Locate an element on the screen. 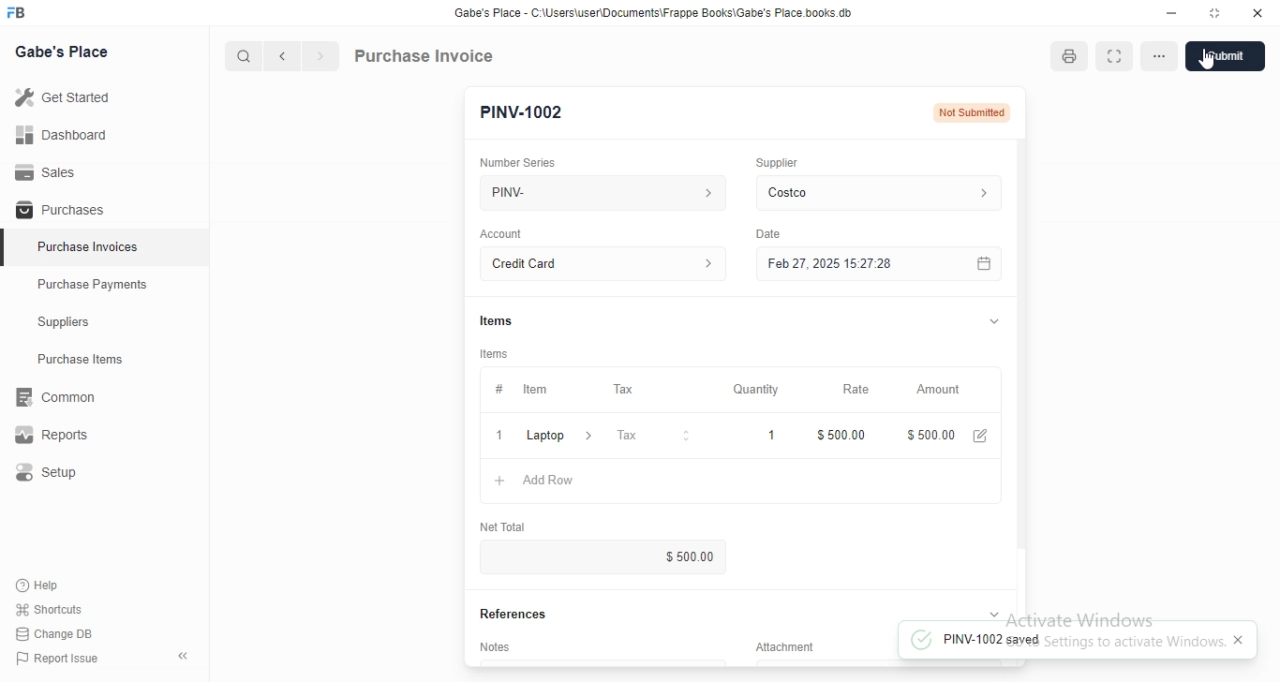  Net Total is located at coordinates (503, 526).